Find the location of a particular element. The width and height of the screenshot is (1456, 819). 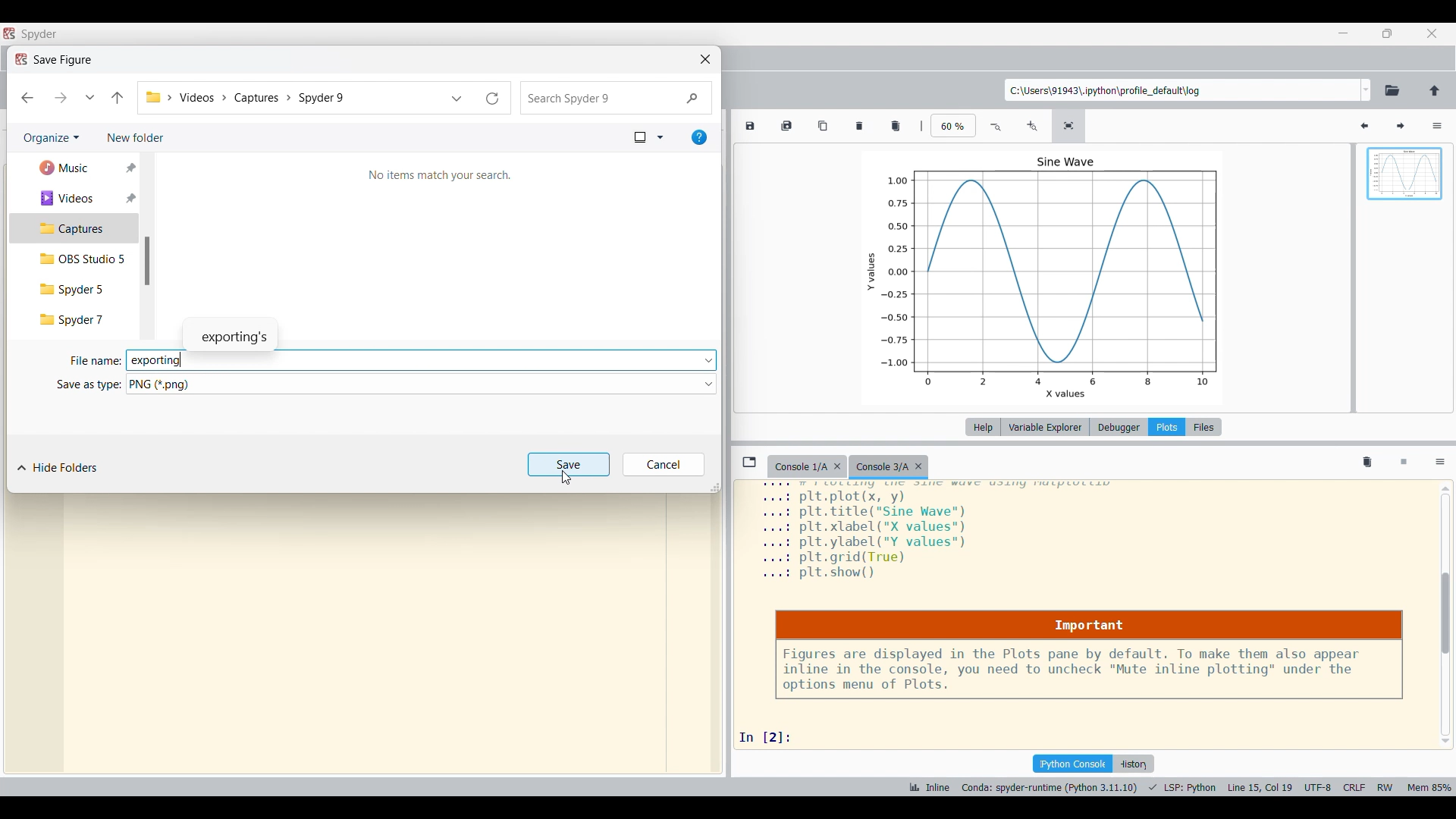

Close is located at coordinates (705, 59).